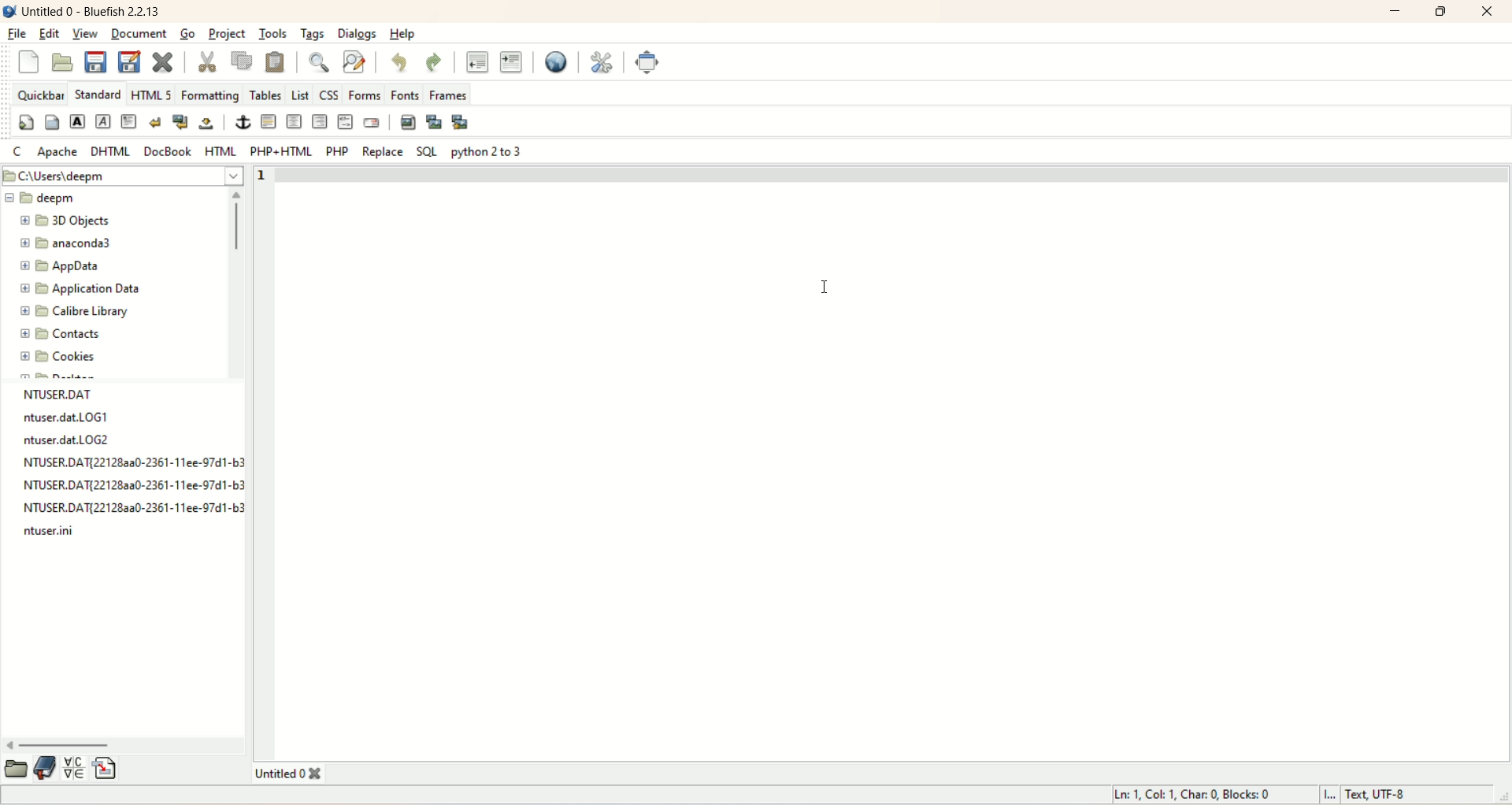 The width and height of the screenshot is (1512, 805). Describe the element at coordinates (98, 94) in the screenshot. I see `standard` at that location.